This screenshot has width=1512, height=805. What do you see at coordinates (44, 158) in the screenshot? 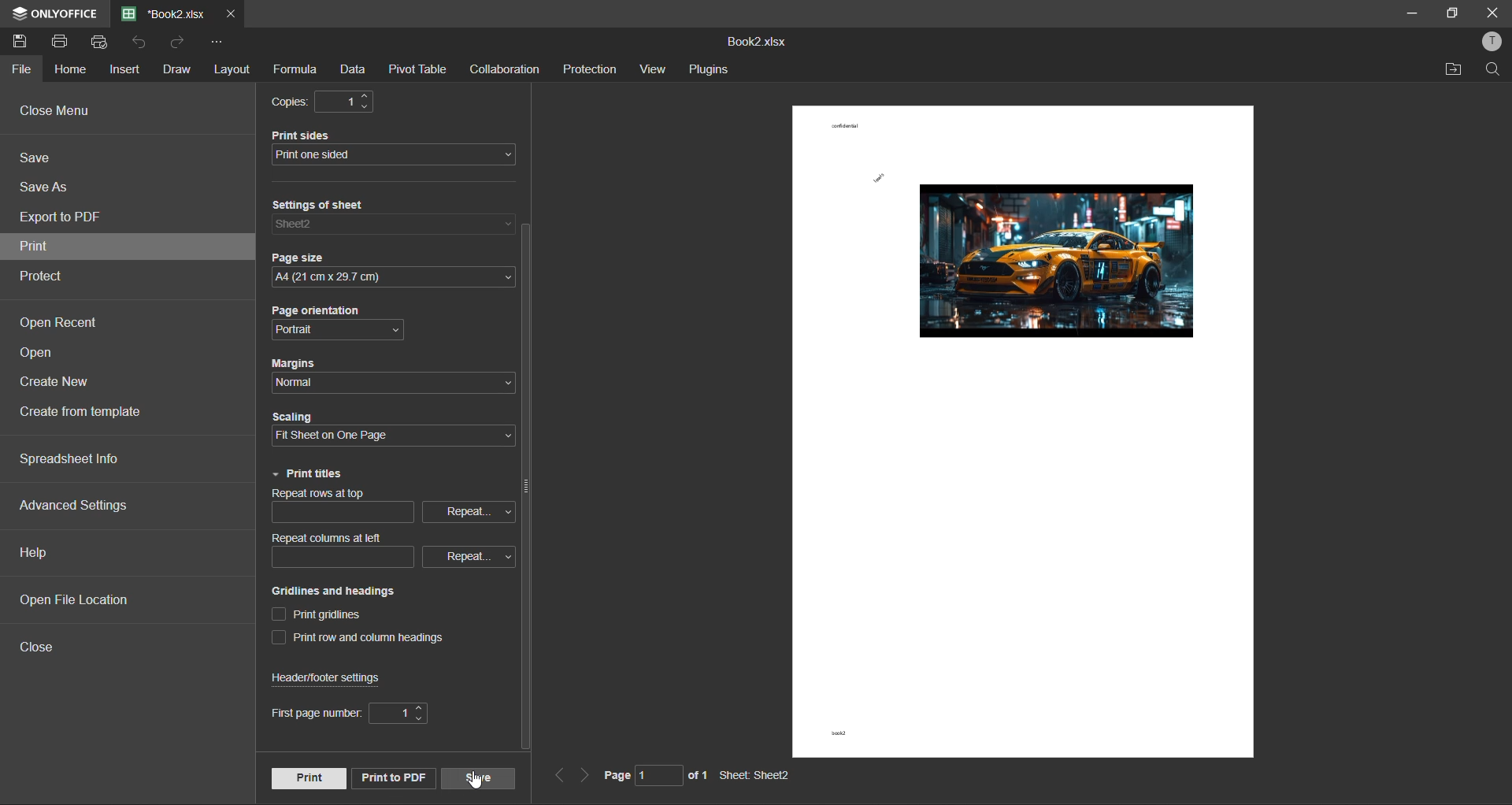
I see `save` at bounding box center [44, 158].